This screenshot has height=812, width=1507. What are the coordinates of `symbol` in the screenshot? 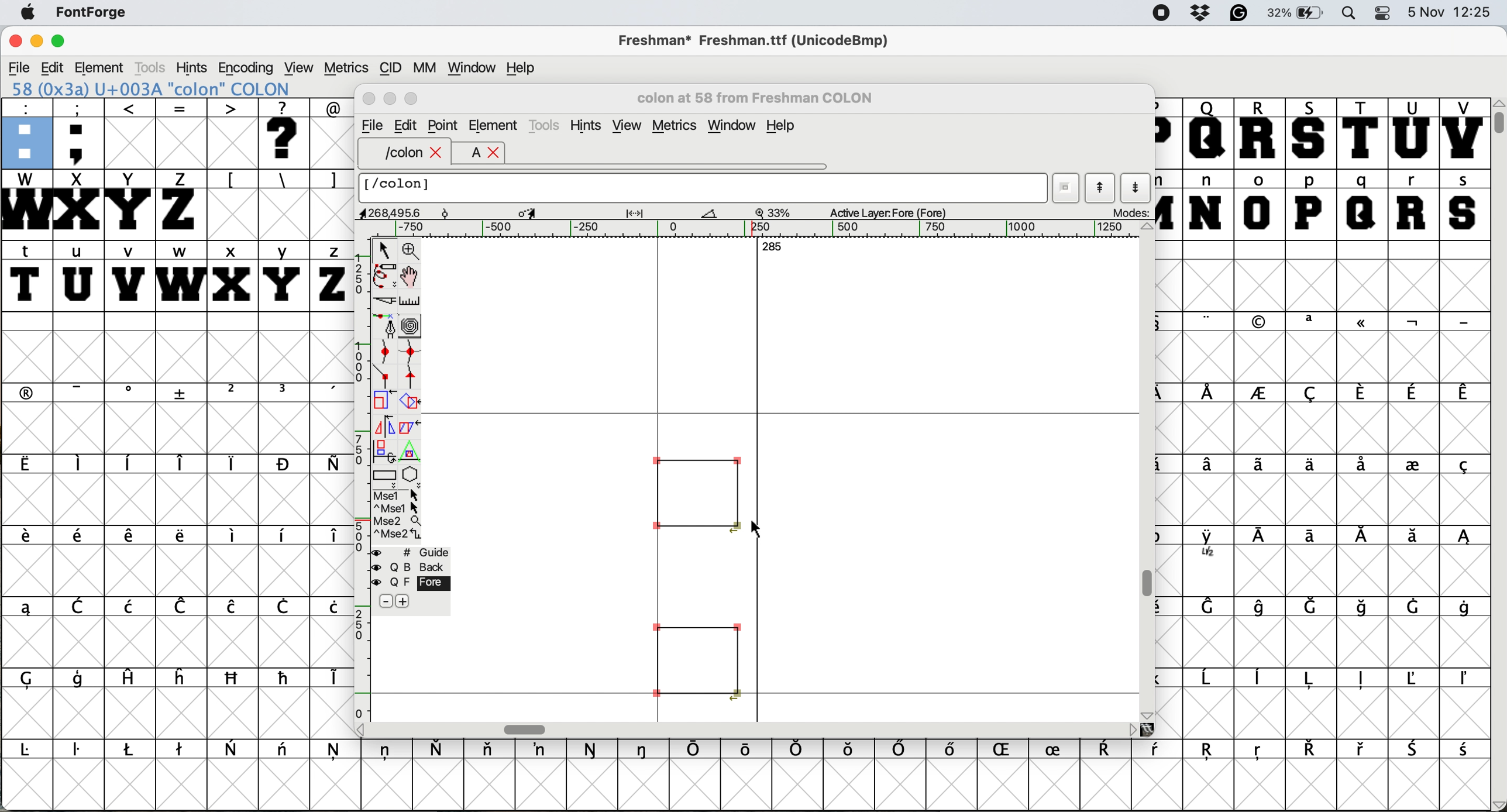 It's located at (32, 750).